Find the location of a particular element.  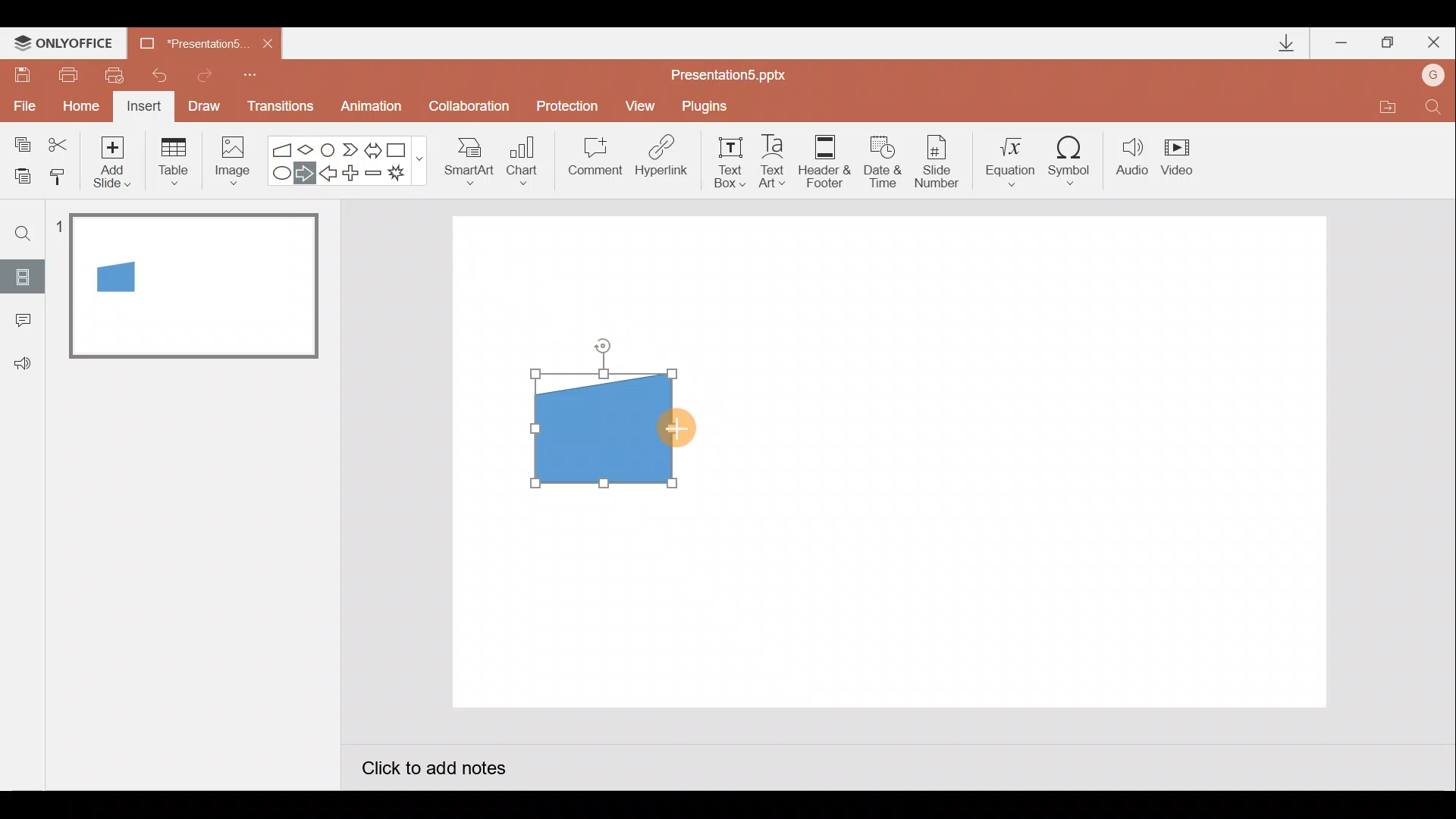

Slide number is located at coordinates (941, 162).